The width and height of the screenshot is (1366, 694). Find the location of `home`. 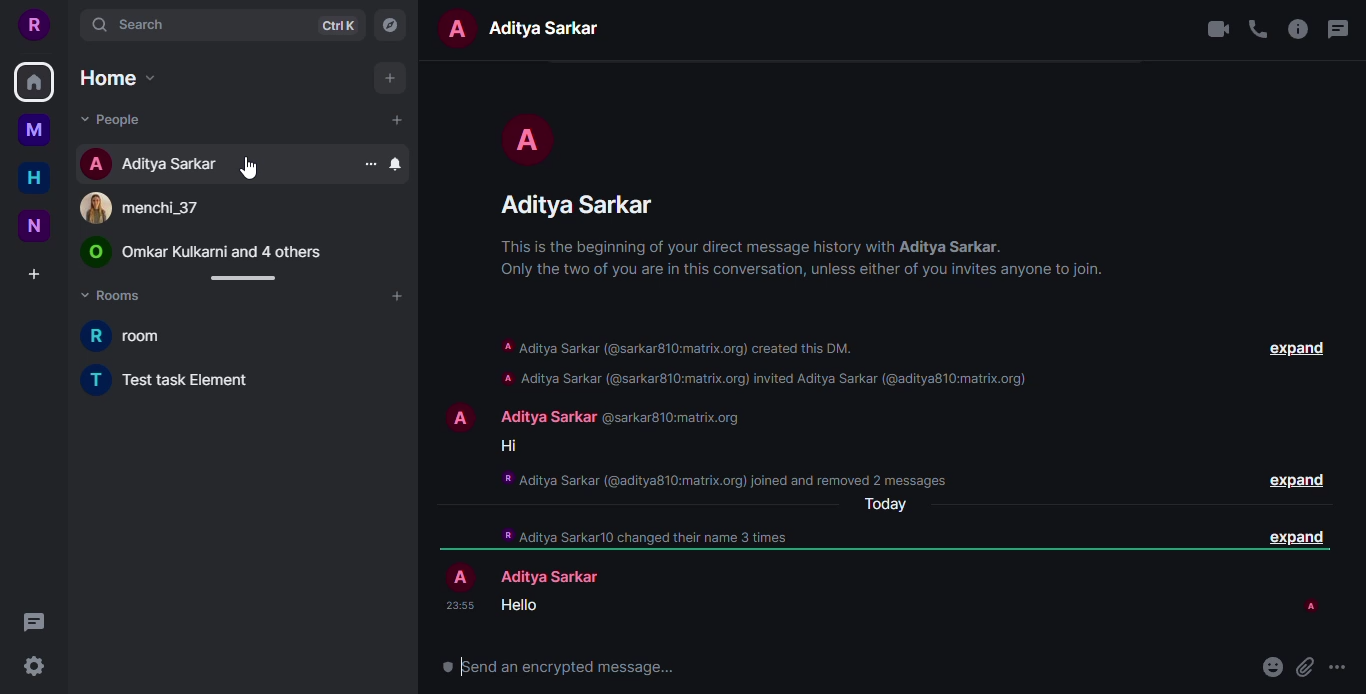

home is located at coordinates (118, 78).